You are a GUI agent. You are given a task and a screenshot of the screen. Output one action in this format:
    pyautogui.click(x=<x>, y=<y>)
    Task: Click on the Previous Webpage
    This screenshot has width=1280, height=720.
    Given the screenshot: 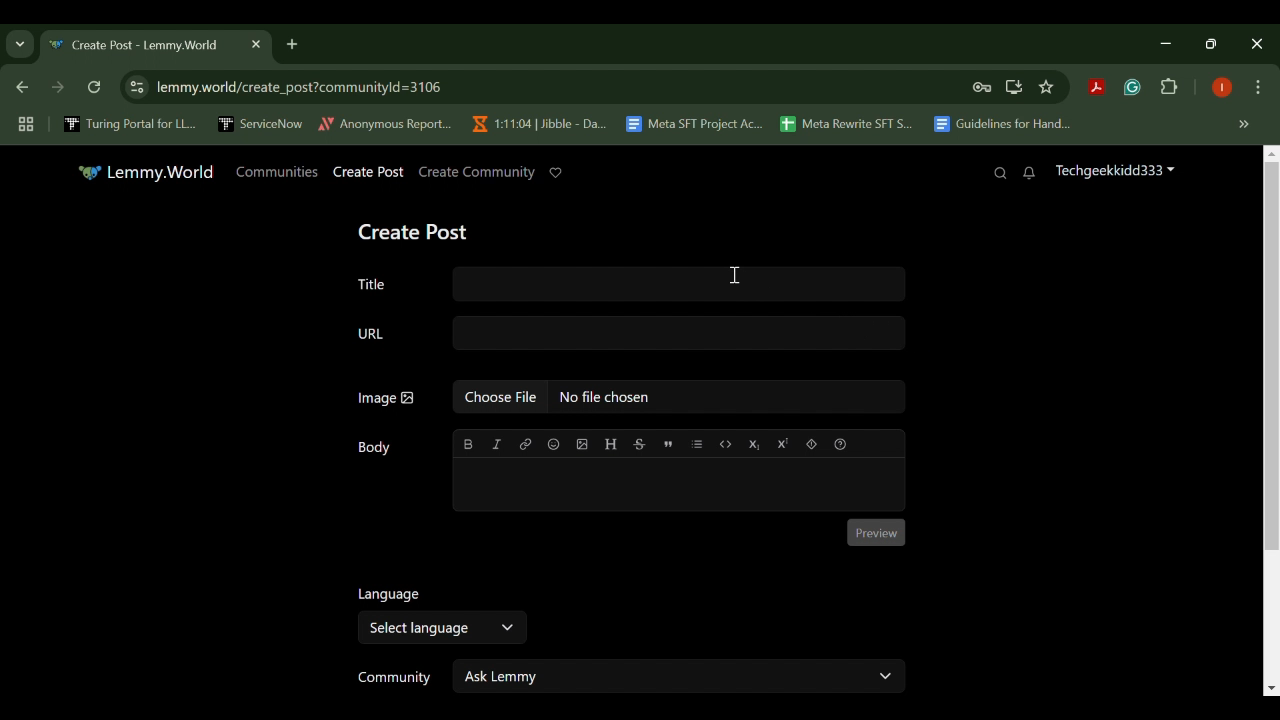 What is the action you would take?
    pyautogui.click(x=19, y=89)
    